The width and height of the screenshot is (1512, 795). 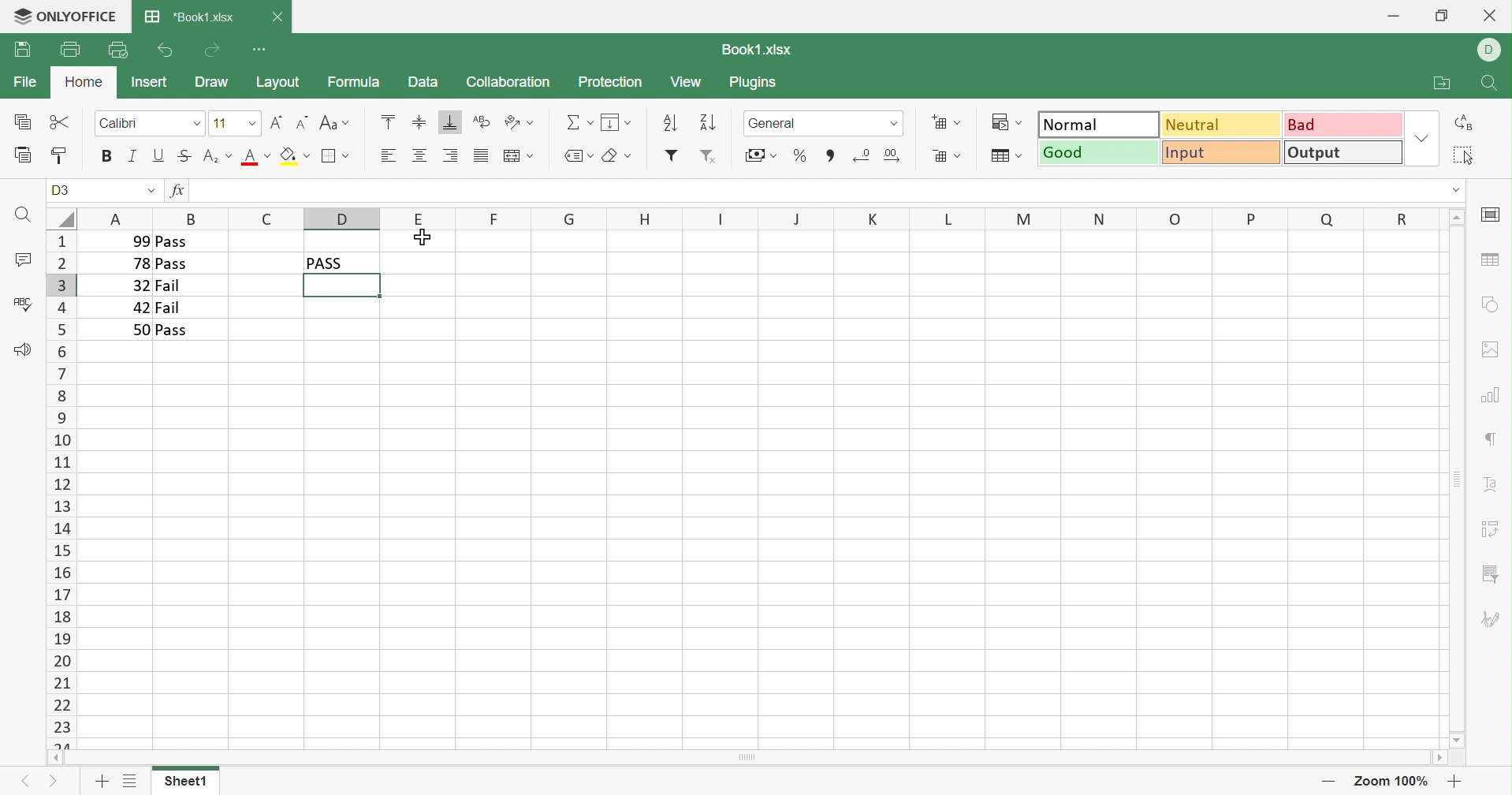 I want to click on Percent style, so click(x=799, y=155).